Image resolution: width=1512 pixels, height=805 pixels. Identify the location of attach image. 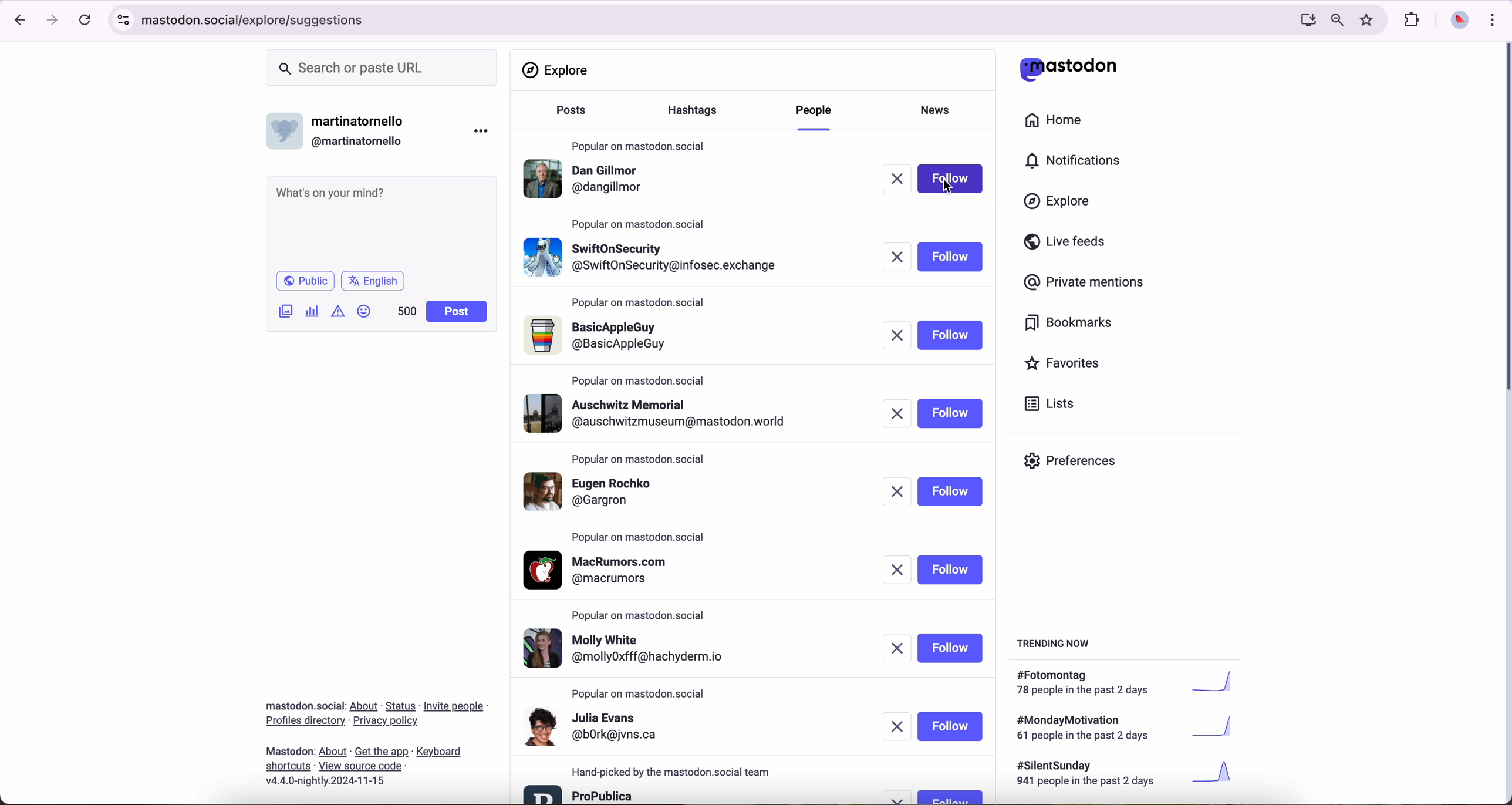
(286, 311).